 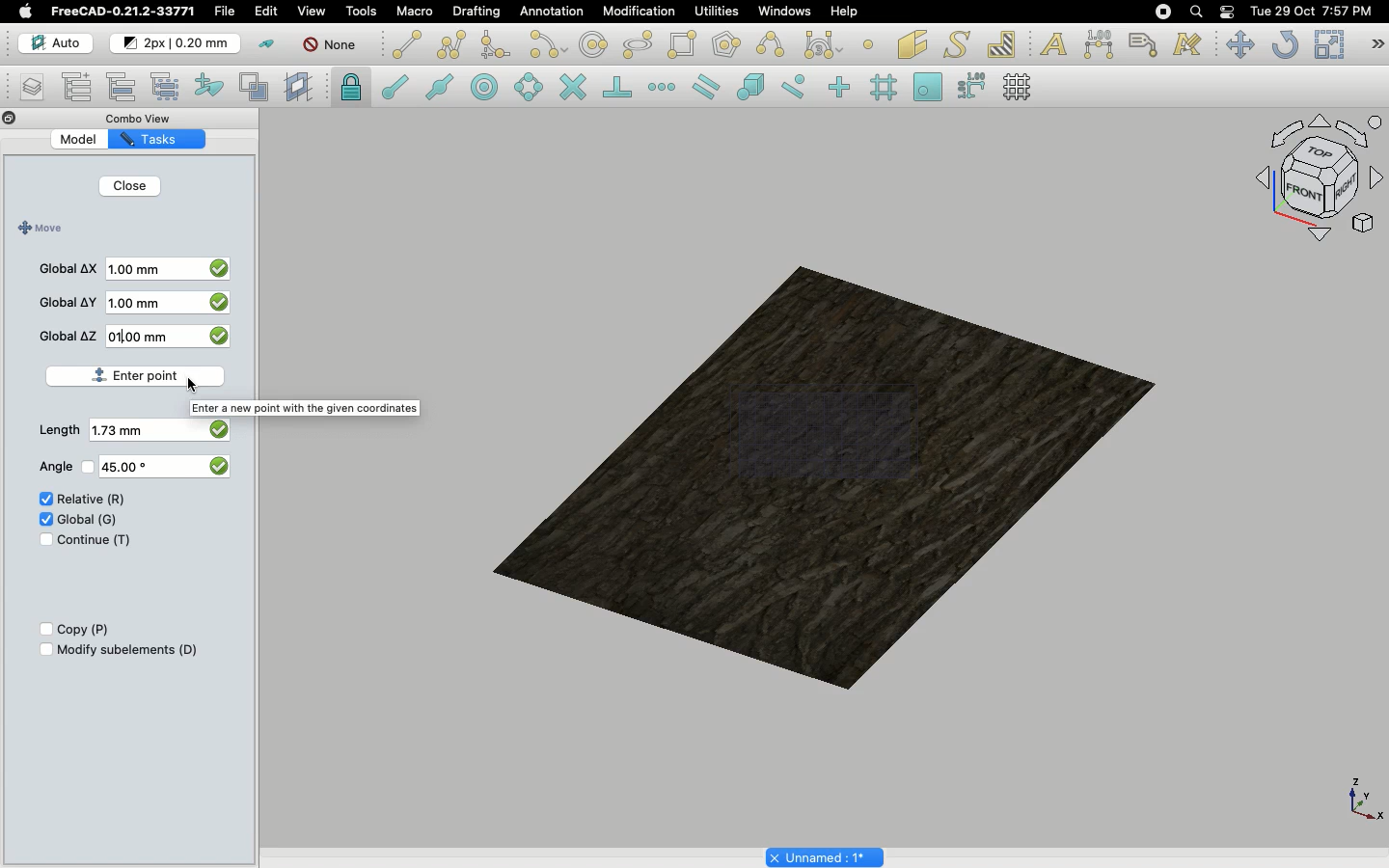 I want to click on Line, so click(x=407, y=44).